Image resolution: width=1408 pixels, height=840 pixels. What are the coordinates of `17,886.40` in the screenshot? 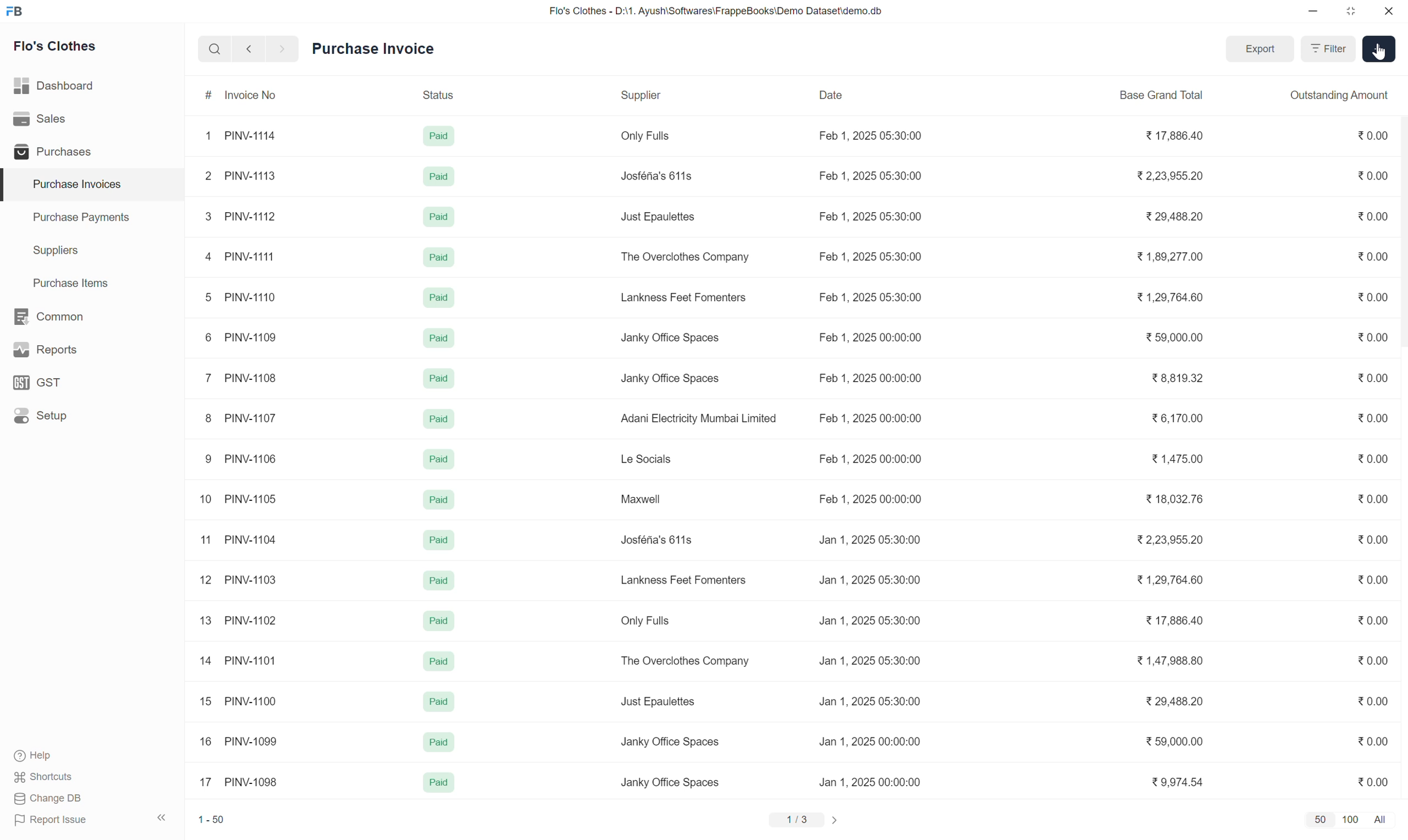 It's located at (1175, 135).